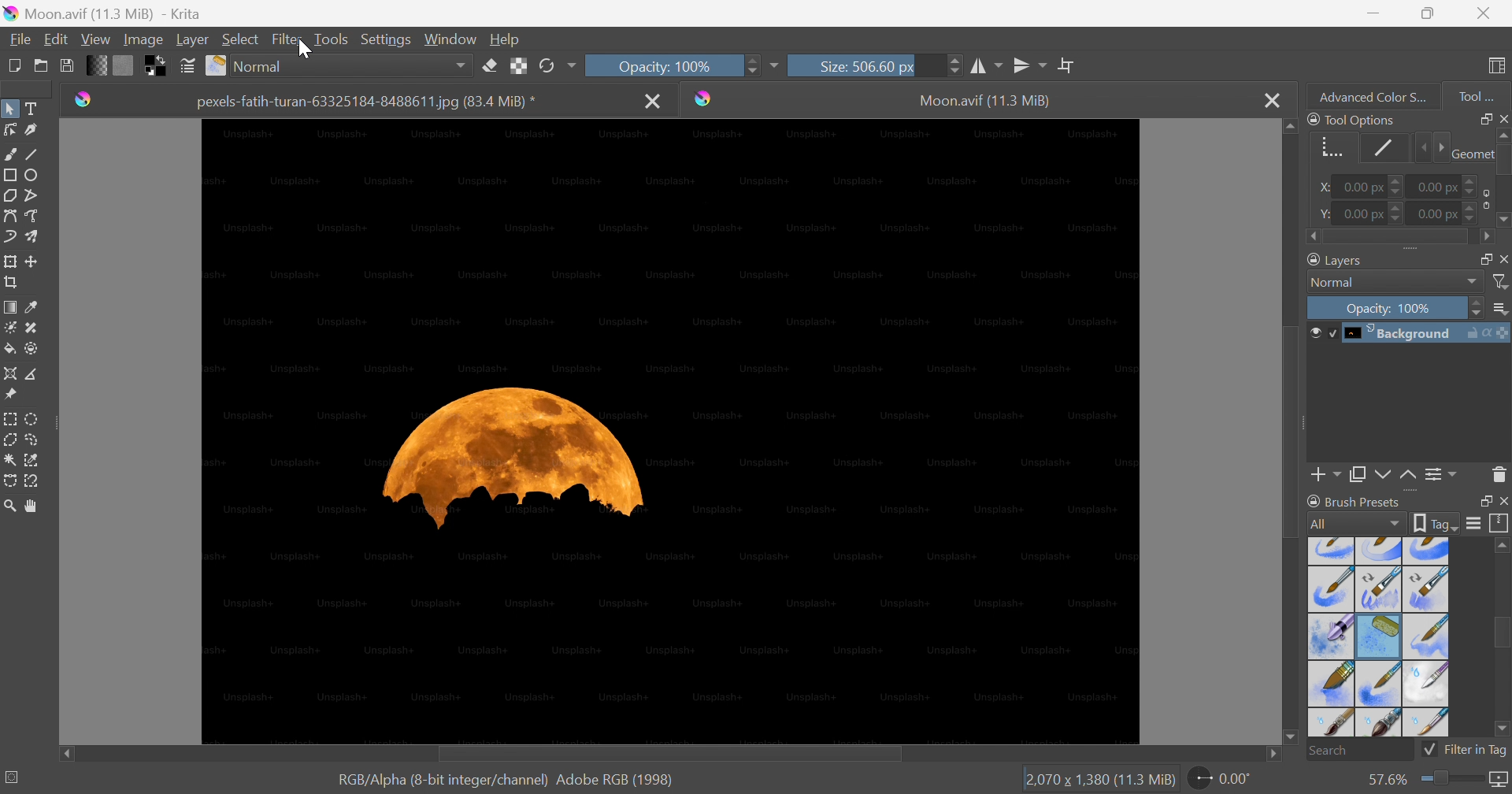 The height and width of the screenshot is (794, 1512). What do you see at coordinates (1503, 731) in the screenshot?
I see `Scroll down` at bounding box center [1503, 731].